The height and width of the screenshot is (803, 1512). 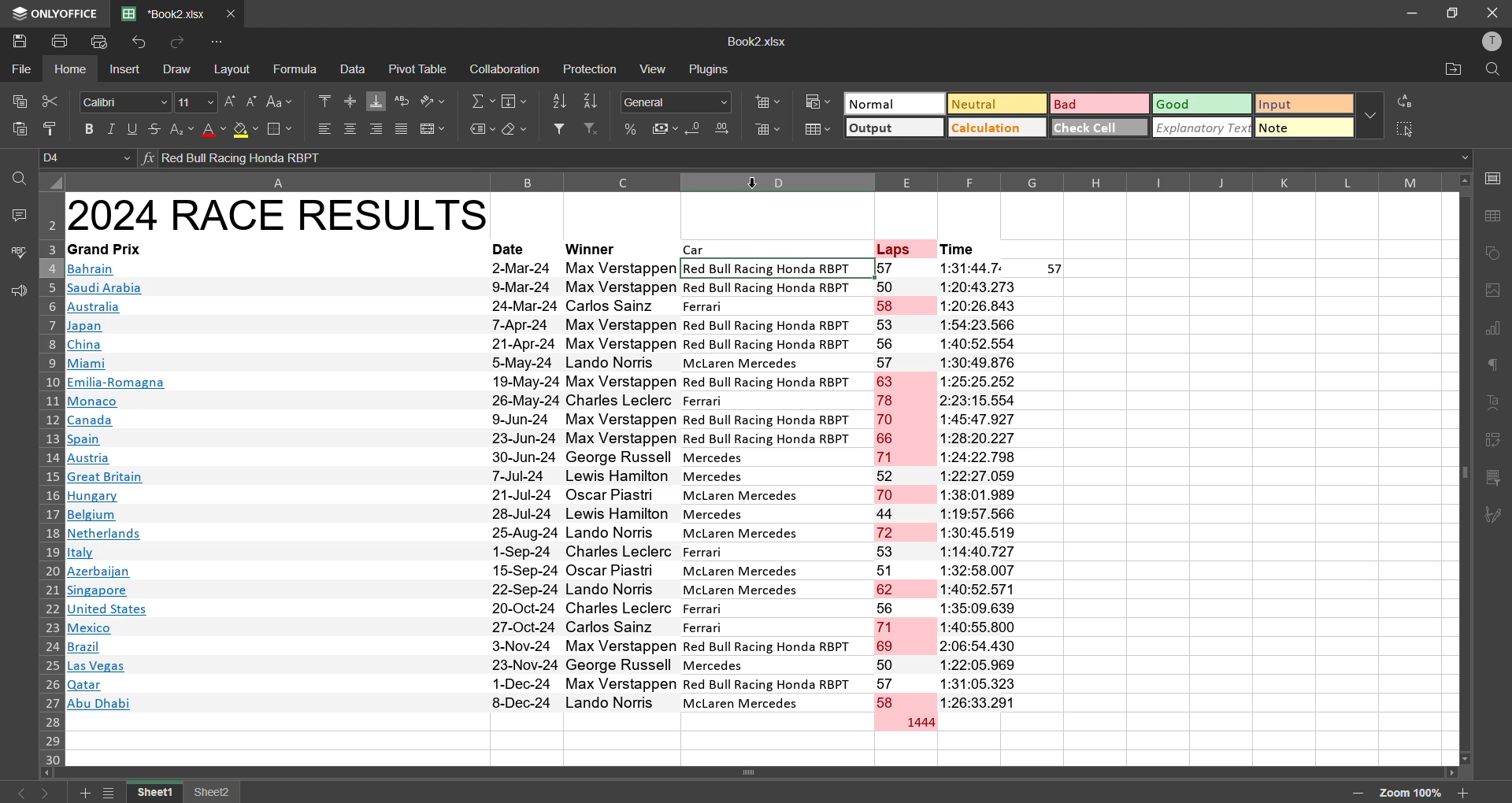 What do you see at coordinates (559, 128) in the screenshot?
I see `filter` at bounding box center [559, 128].